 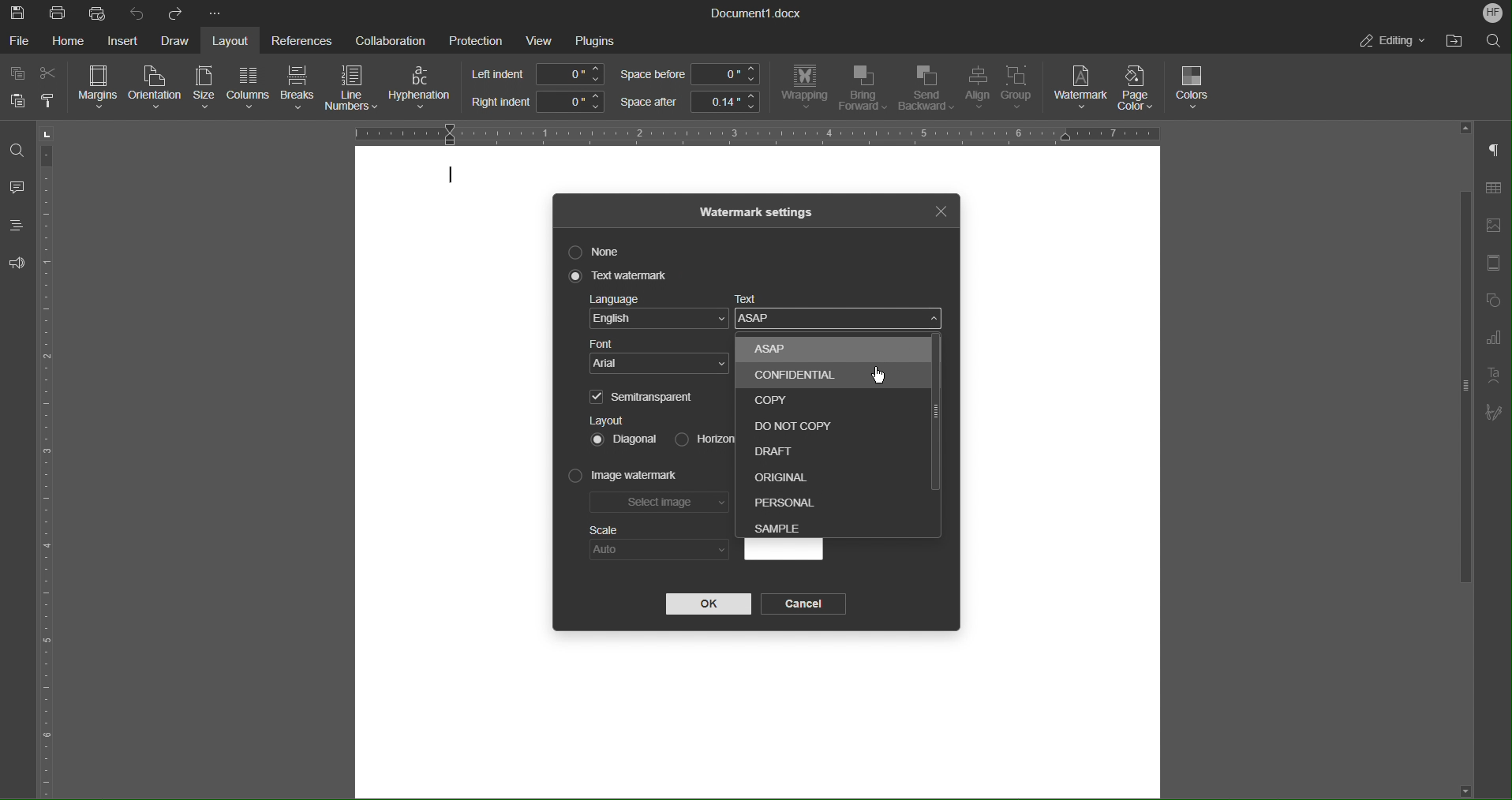 I want to click on Confidential, so click(x=801, y=376).